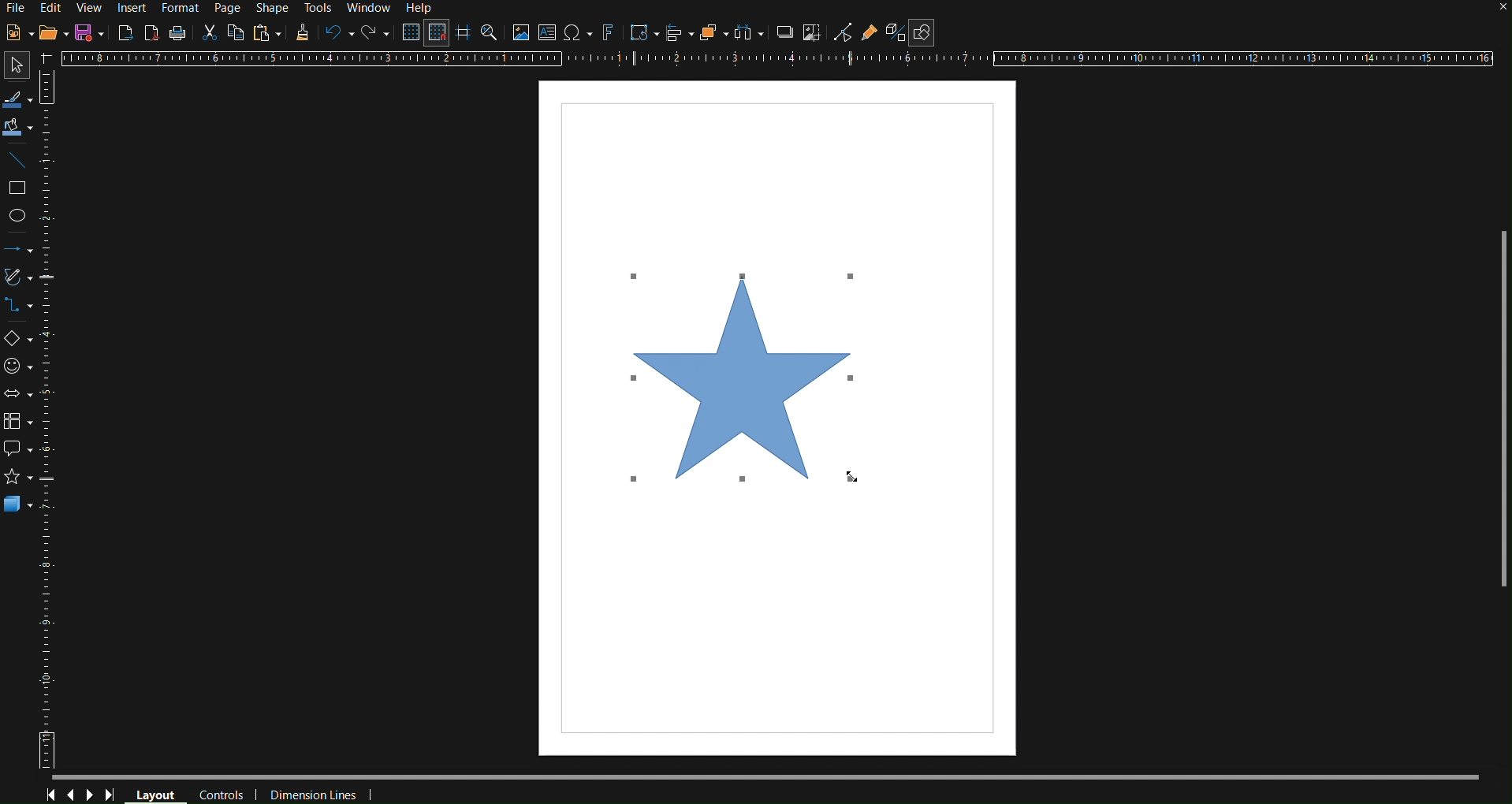 Image resolution: width=1512 pixels, height=804 pixels. What do you see at coordinates (266, 33) in the screenshot?
I see `Paste` at bounding box center [266, 33].